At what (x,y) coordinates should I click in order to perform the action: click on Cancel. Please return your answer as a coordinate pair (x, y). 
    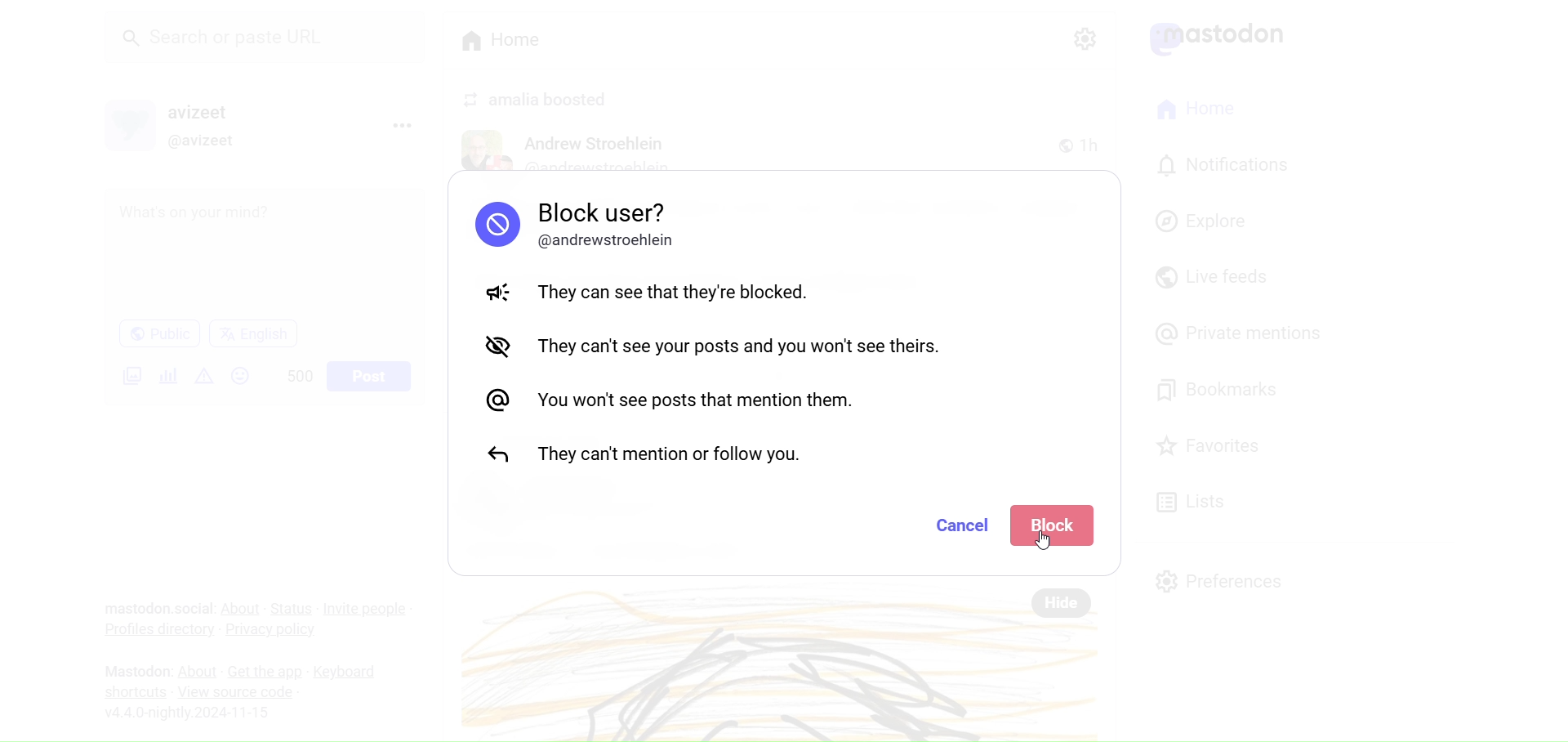
    Looking at the image, I should click on (964, 524).